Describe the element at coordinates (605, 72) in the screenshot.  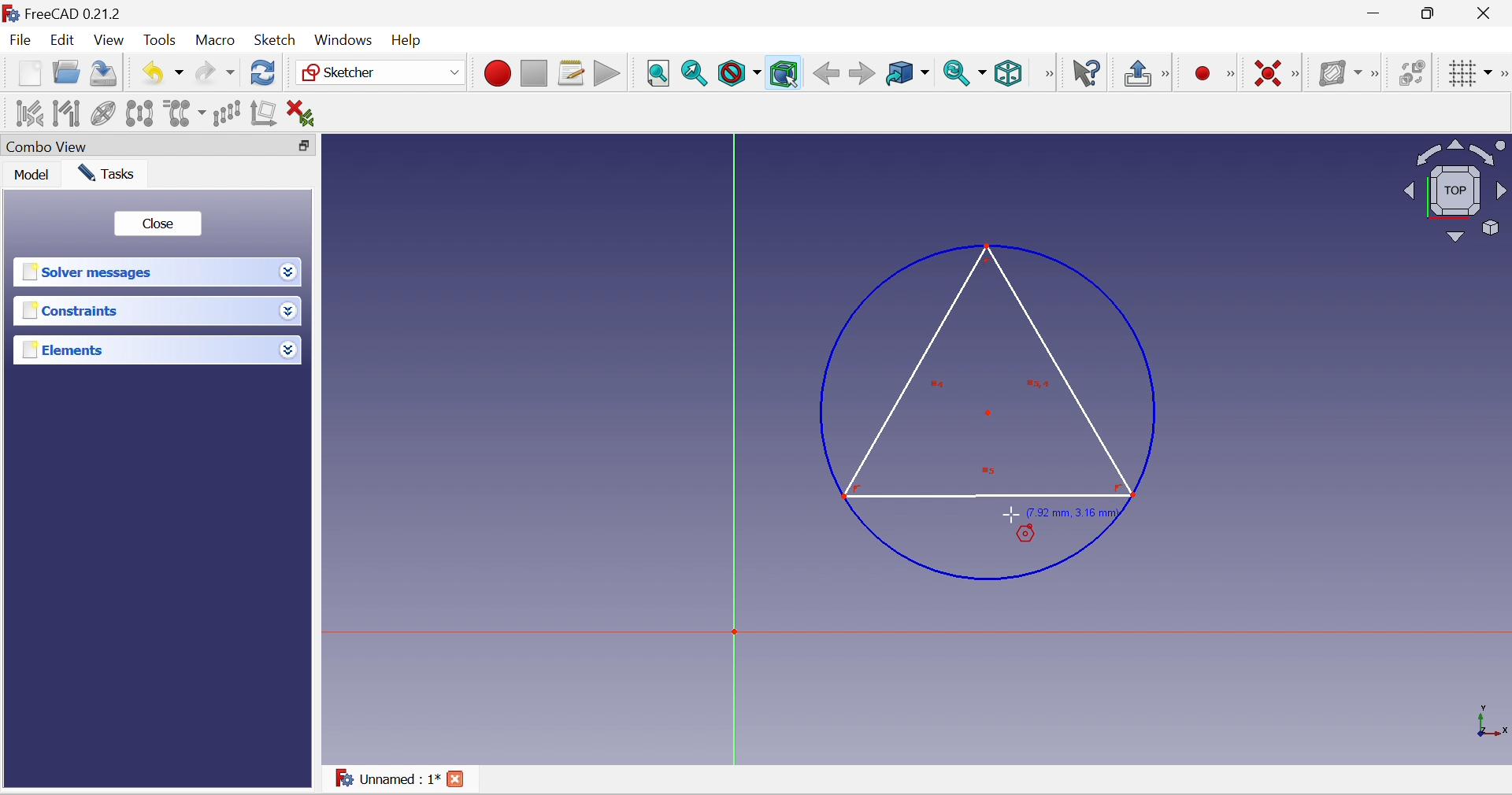
I see `Execute macro` at that location.